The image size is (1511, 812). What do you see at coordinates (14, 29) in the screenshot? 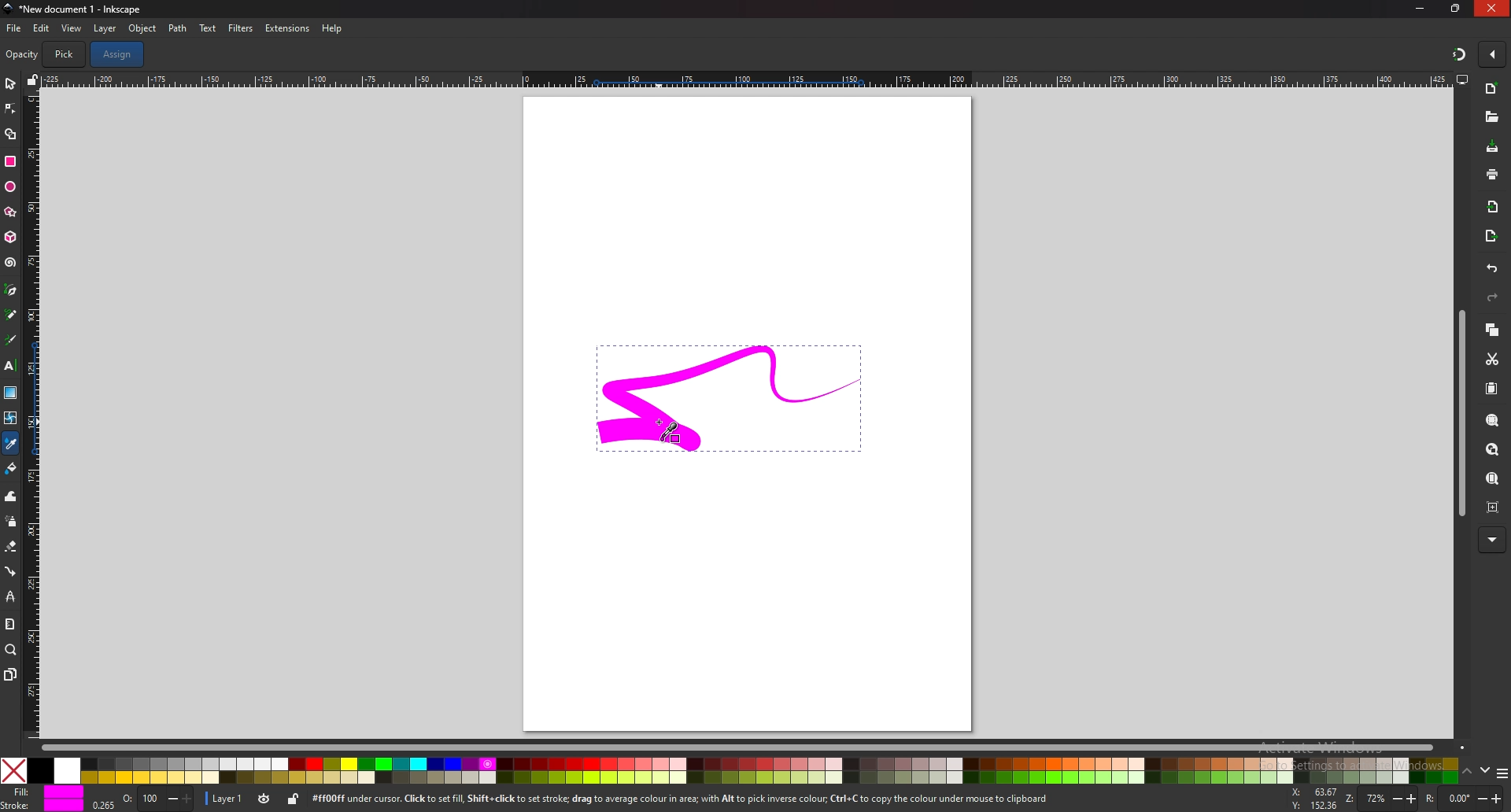
I see `file` at bounding box center [14, 29].